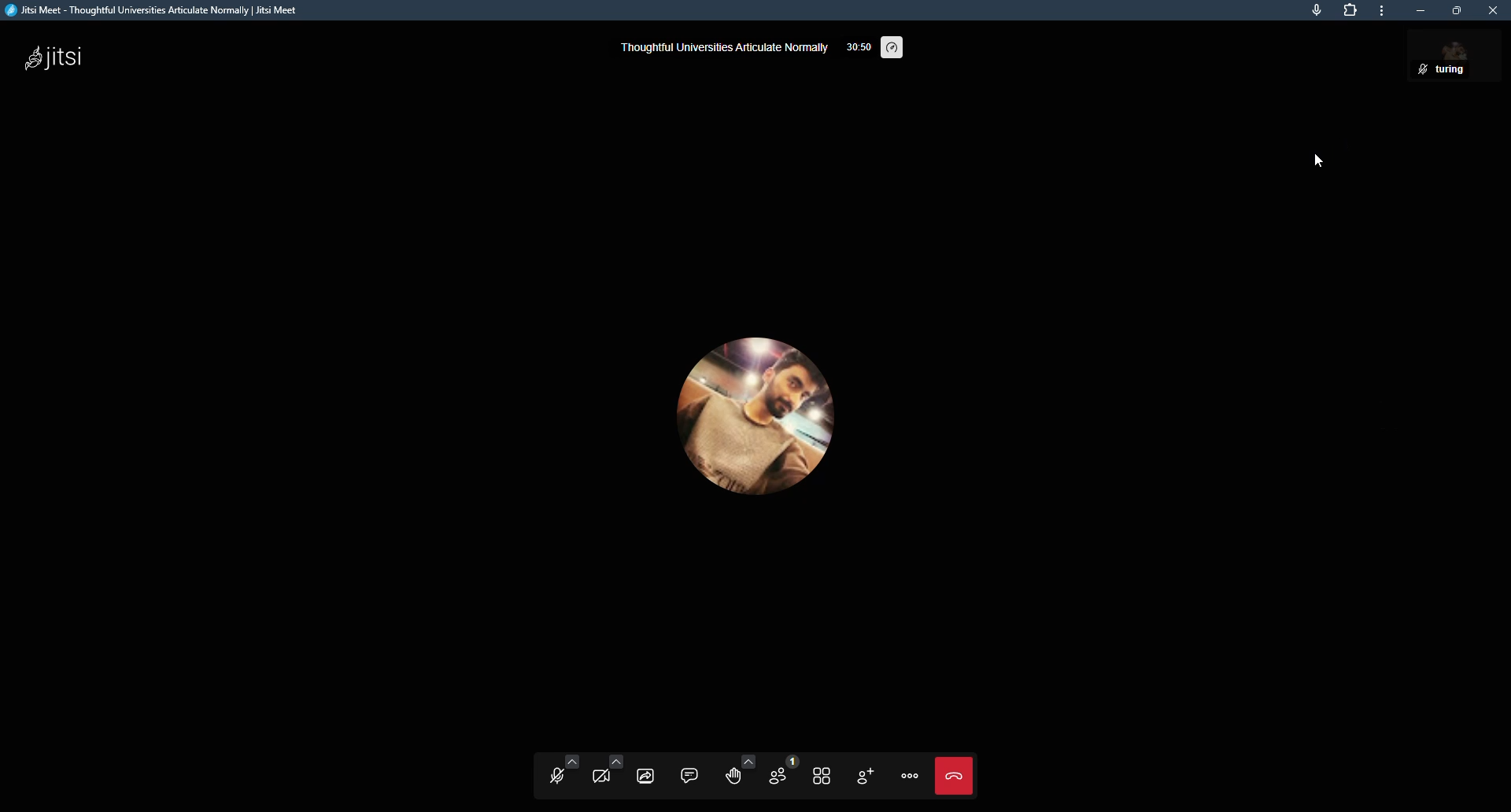  Describe the element at coordinates (766, 416) in the screenshot. I see `profile picture` at that location.